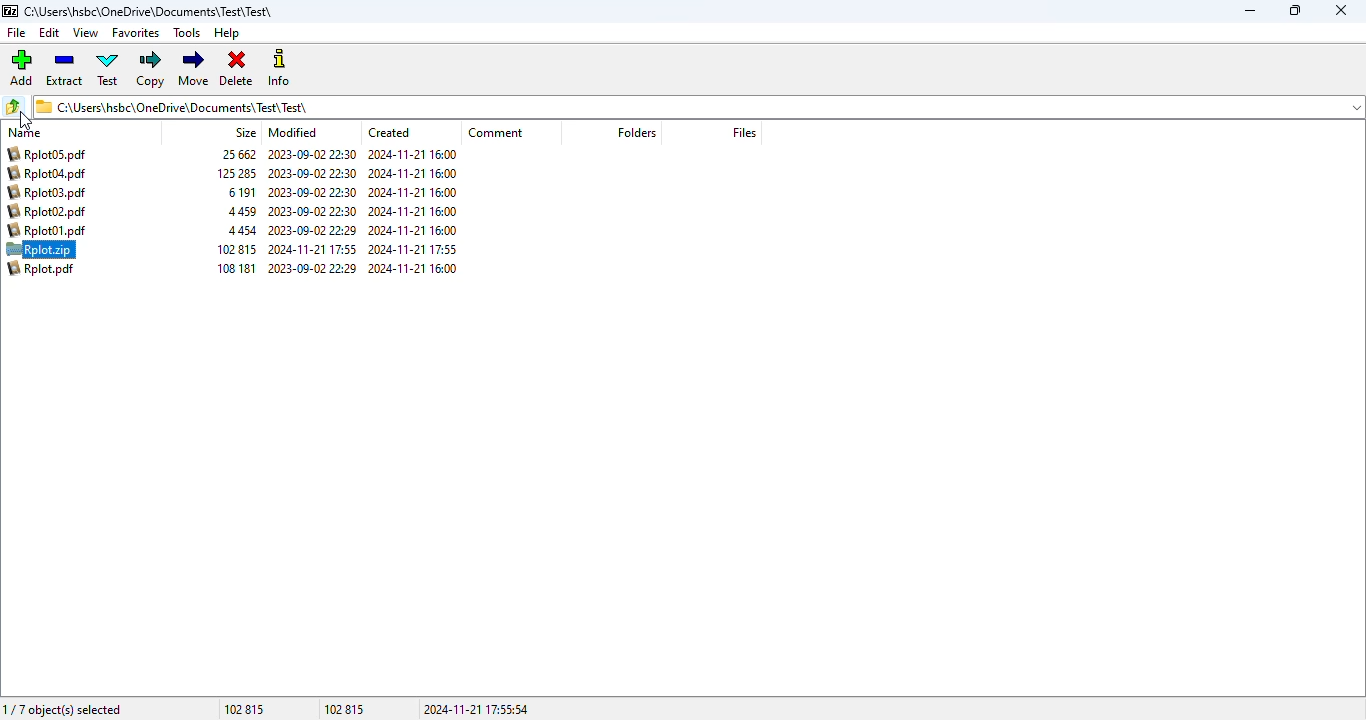 Image resolution: width=1366 pixels, height=720 pixels. I want to click on edit, so click(49, 32).